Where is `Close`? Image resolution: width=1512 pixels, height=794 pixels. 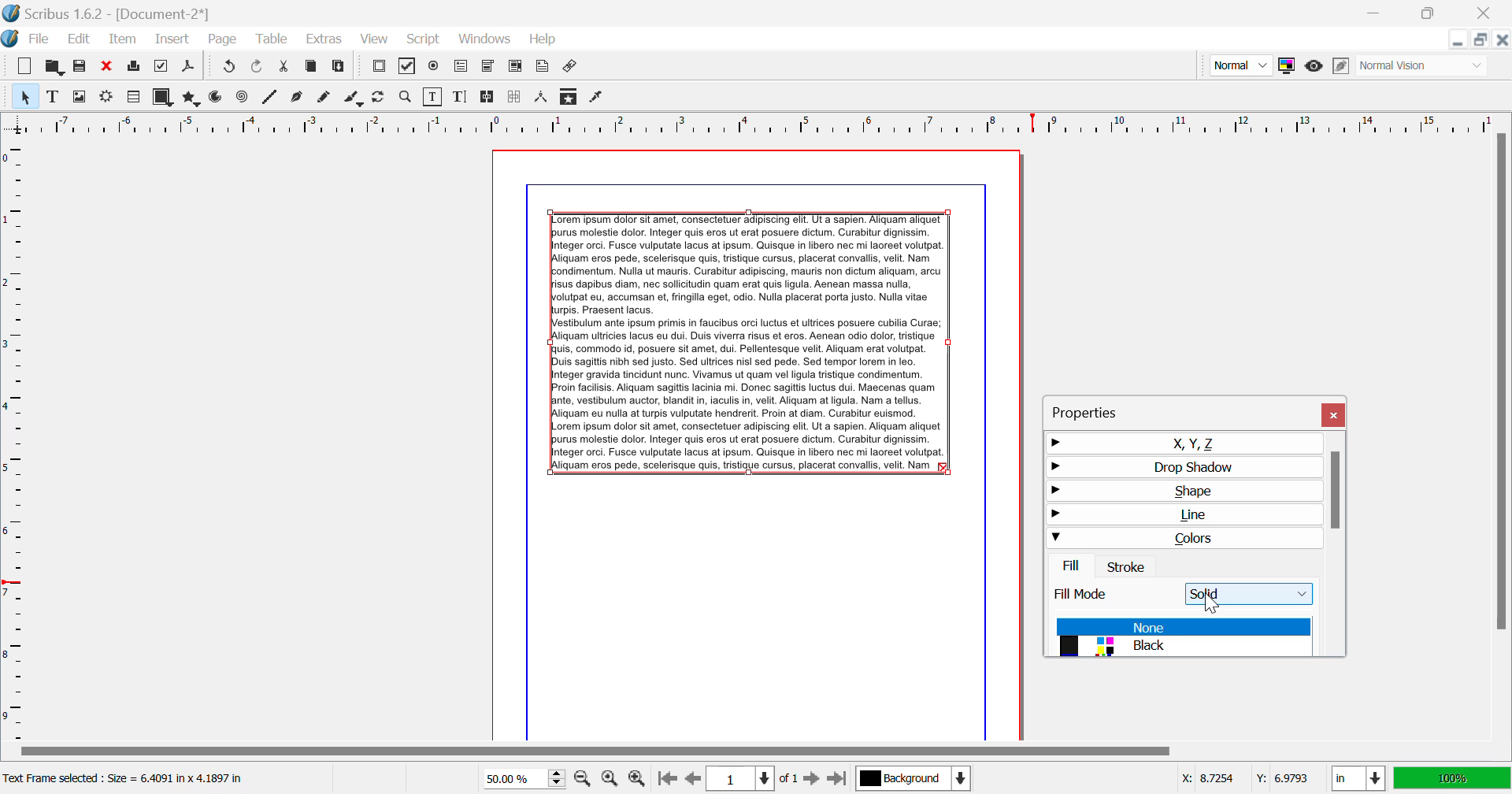 Close is located at coordinates (1336, 415).